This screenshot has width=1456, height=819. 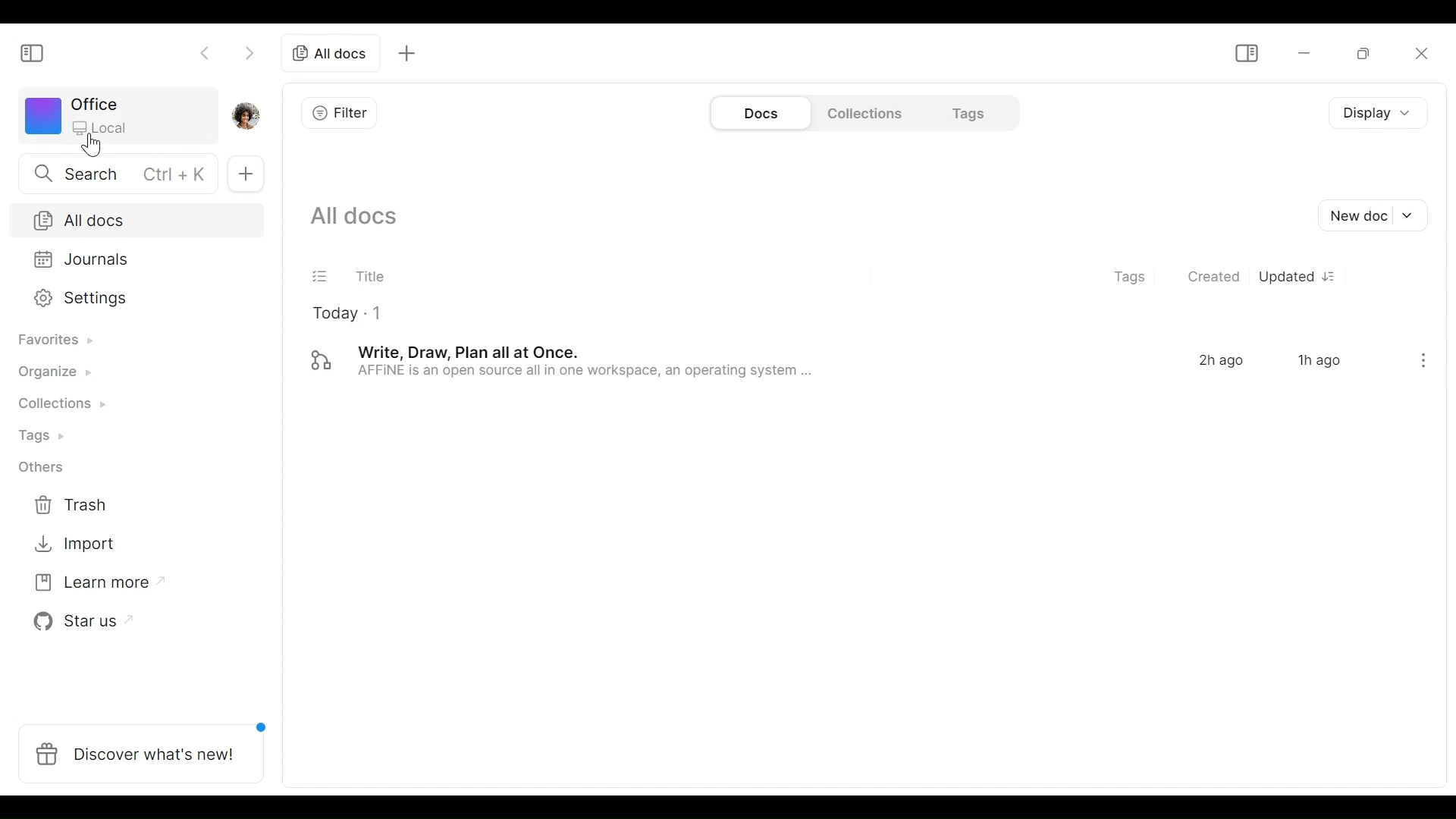 I want to click on cursor, so click(x=92, y=146).